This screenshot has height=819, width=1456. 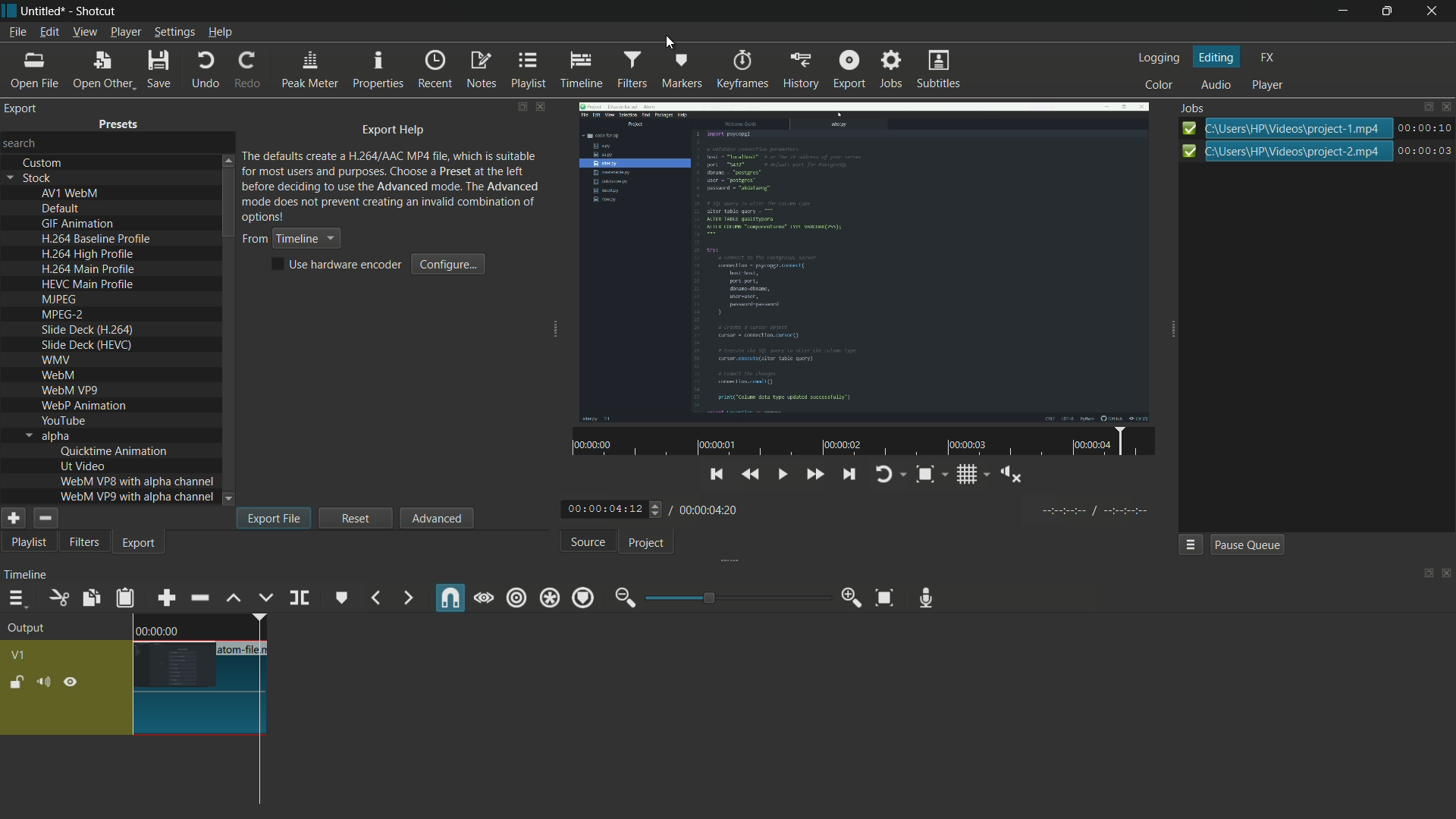 What do you see at coordinates (26, 544) in the screenshot?
I see `playlist` at bounding box center [26, 544].